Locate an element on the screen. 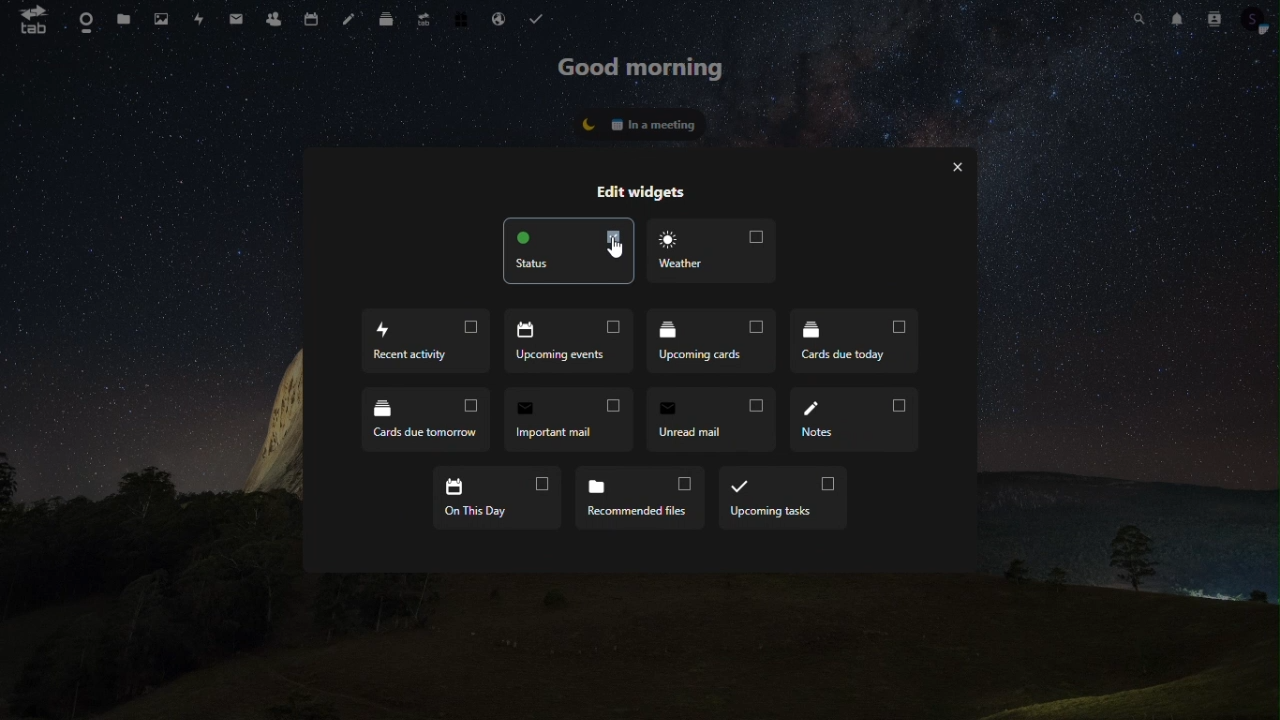 Image resolution: width=1280 pixels, height=720 pixels. calendar is located at coordinates (309, 19).